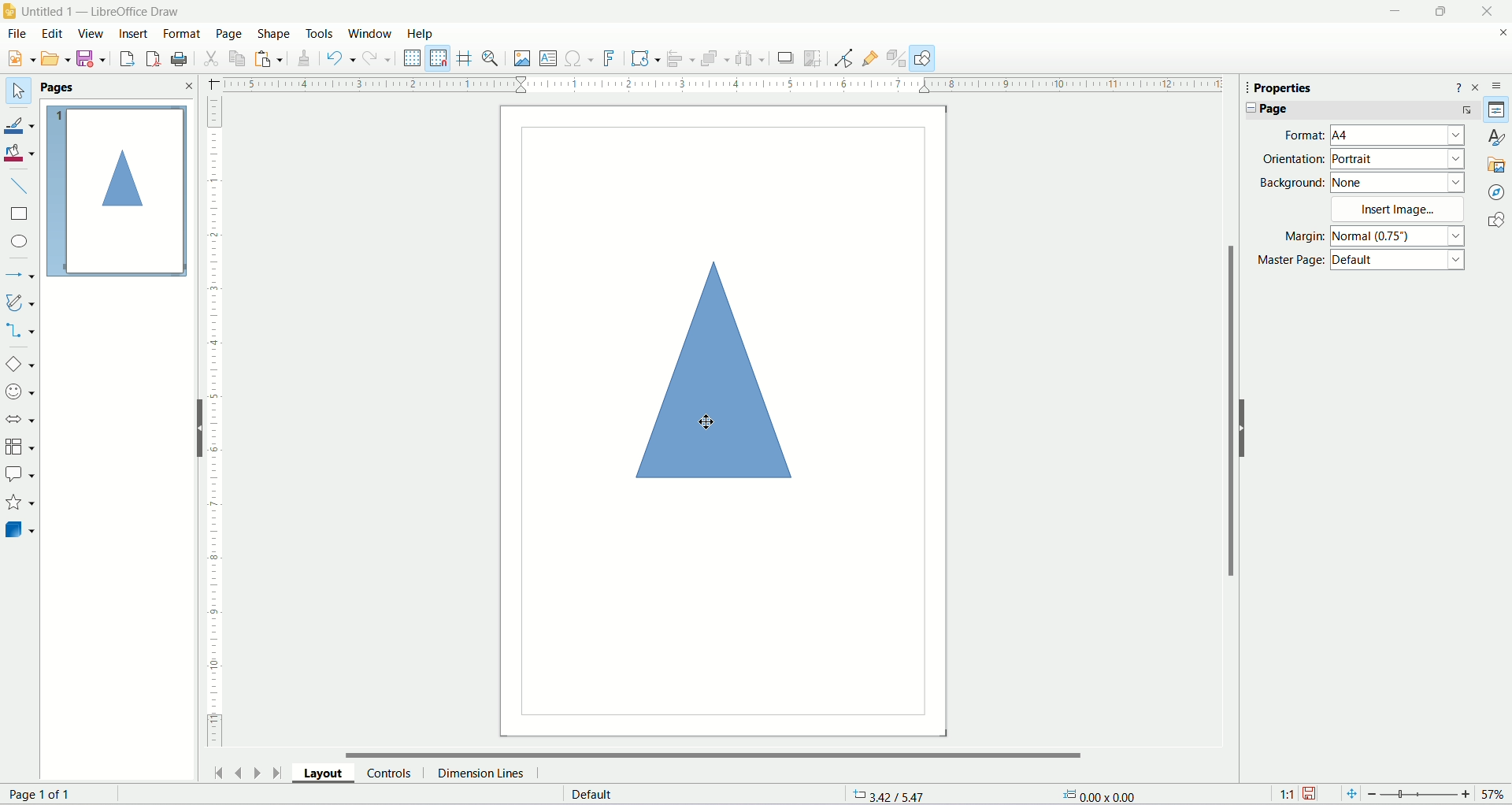 Image resolution: width=1512 pixels, height=805 pixels. Describe the element at coordinates (1397, 208) in the screenshot. I see `Insert Image` at that location.